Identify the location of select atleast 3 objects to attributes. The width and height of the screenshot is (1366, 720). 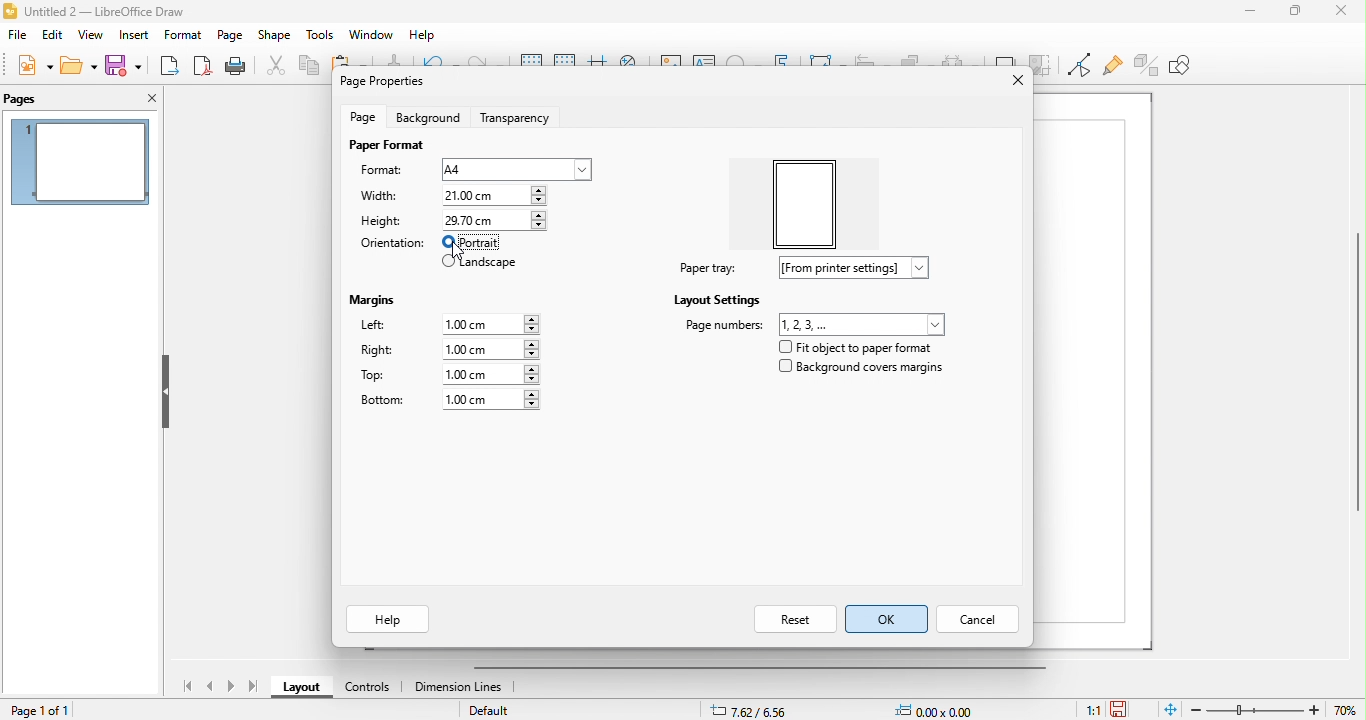
(961, 64).